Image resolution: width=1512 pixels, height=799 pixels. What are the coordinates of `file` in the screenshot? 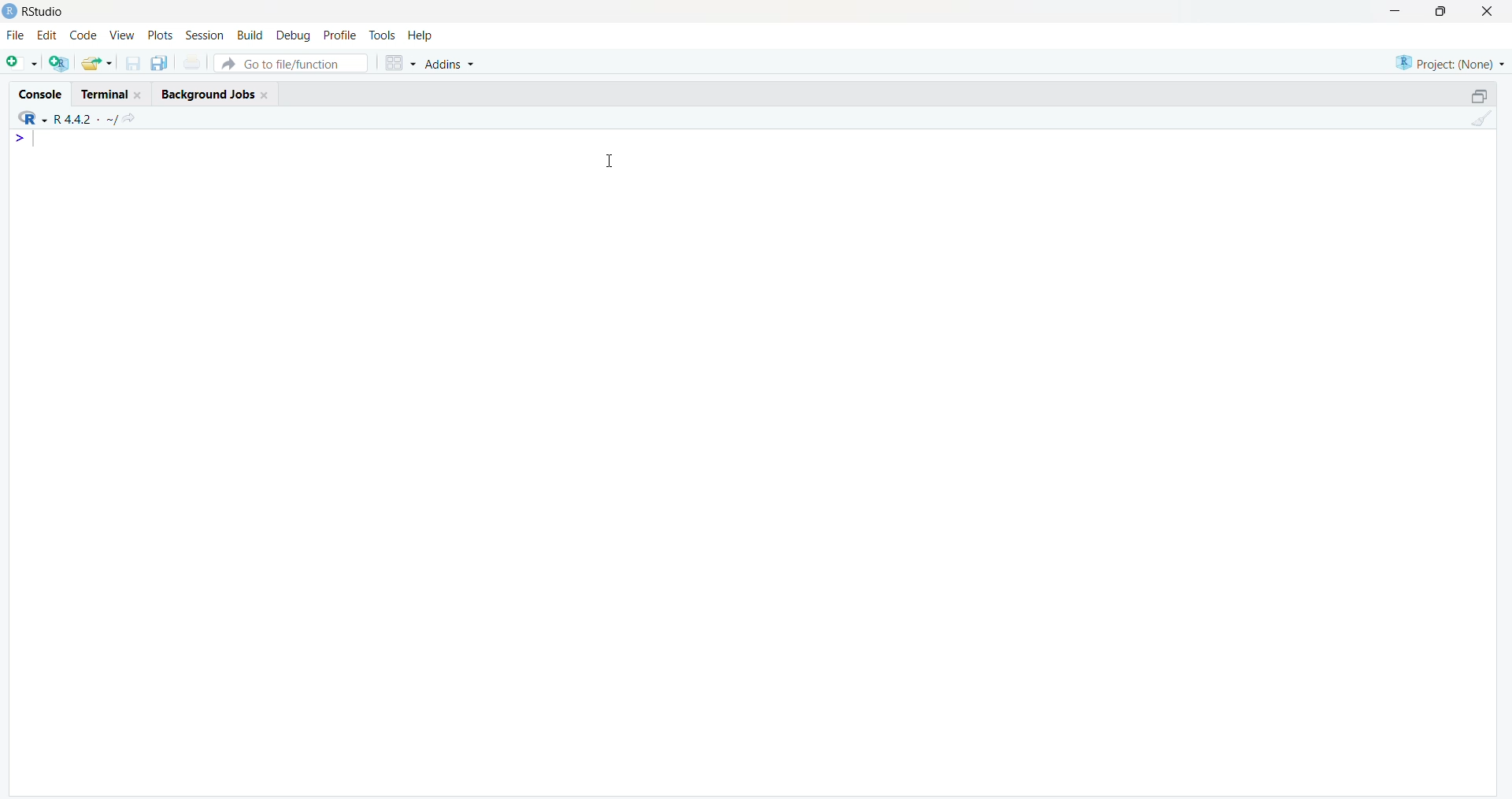 It's located at (16, 34).